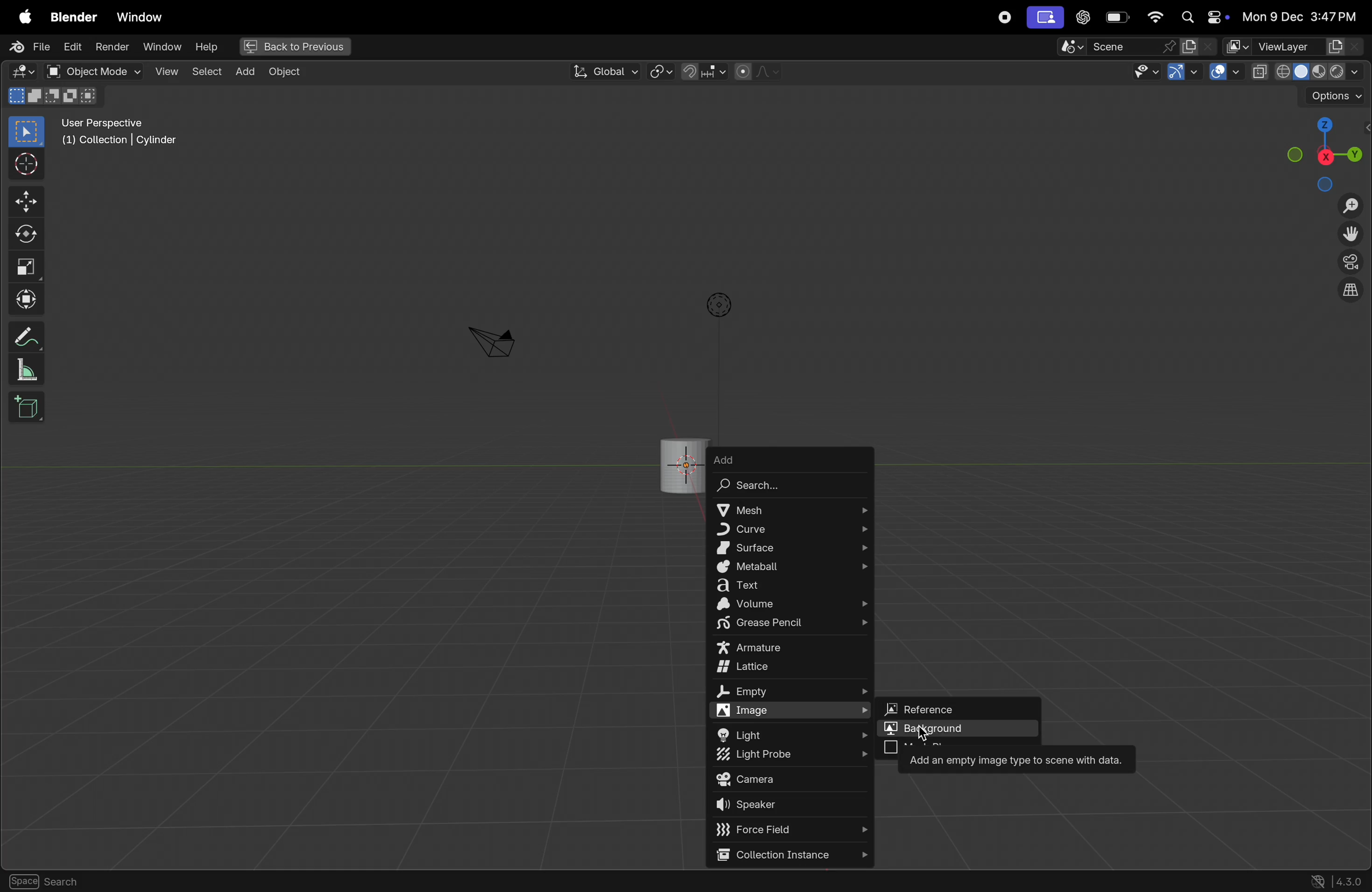 The height and width of the screenshot is (892, 1372). What do you see at coordinates (791, 625) in the screenshot?
I see `green pencil` at bounding box center [791, 625].